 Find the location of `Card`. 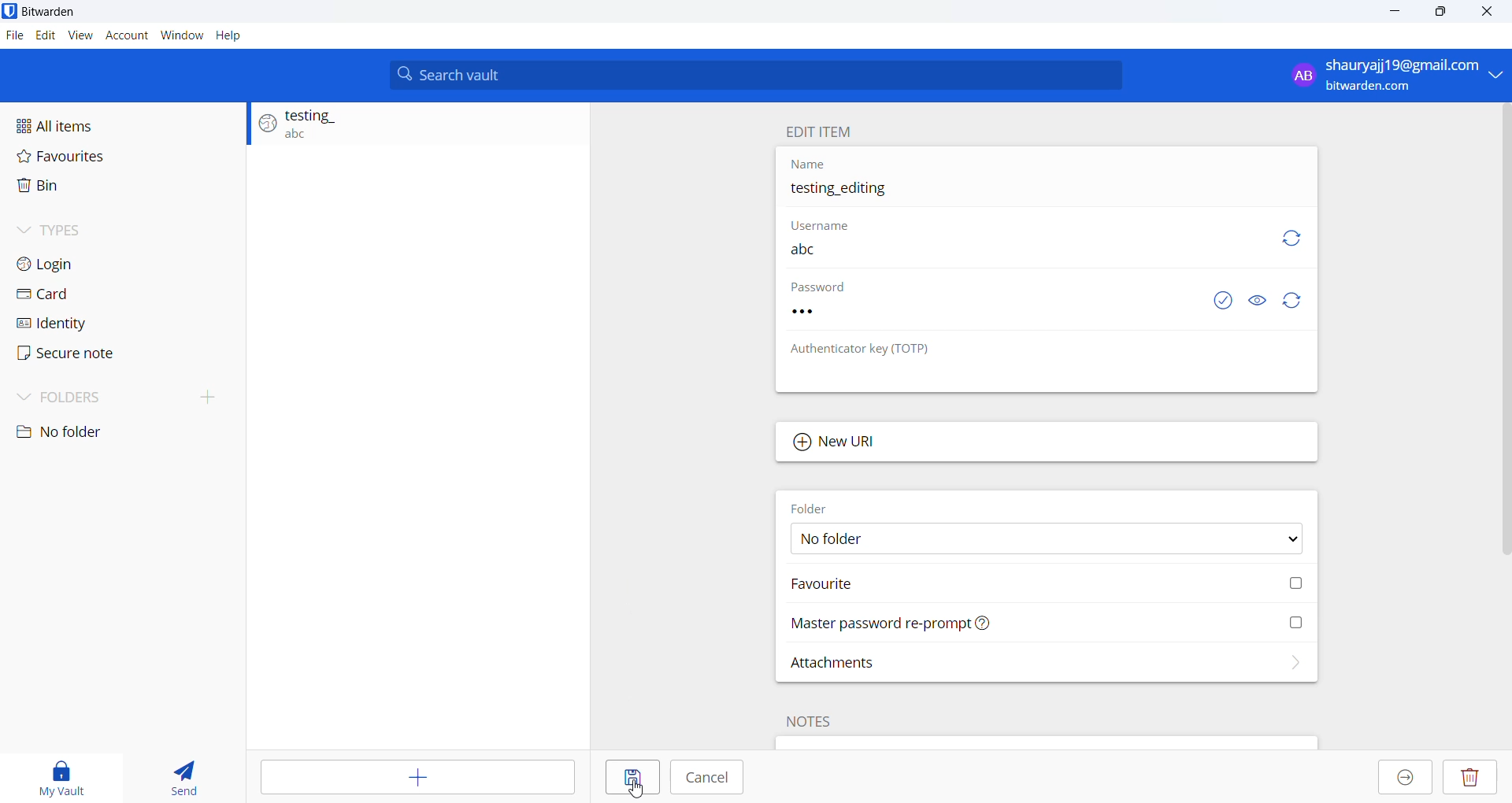

Card is located at coordinates (108, 295).